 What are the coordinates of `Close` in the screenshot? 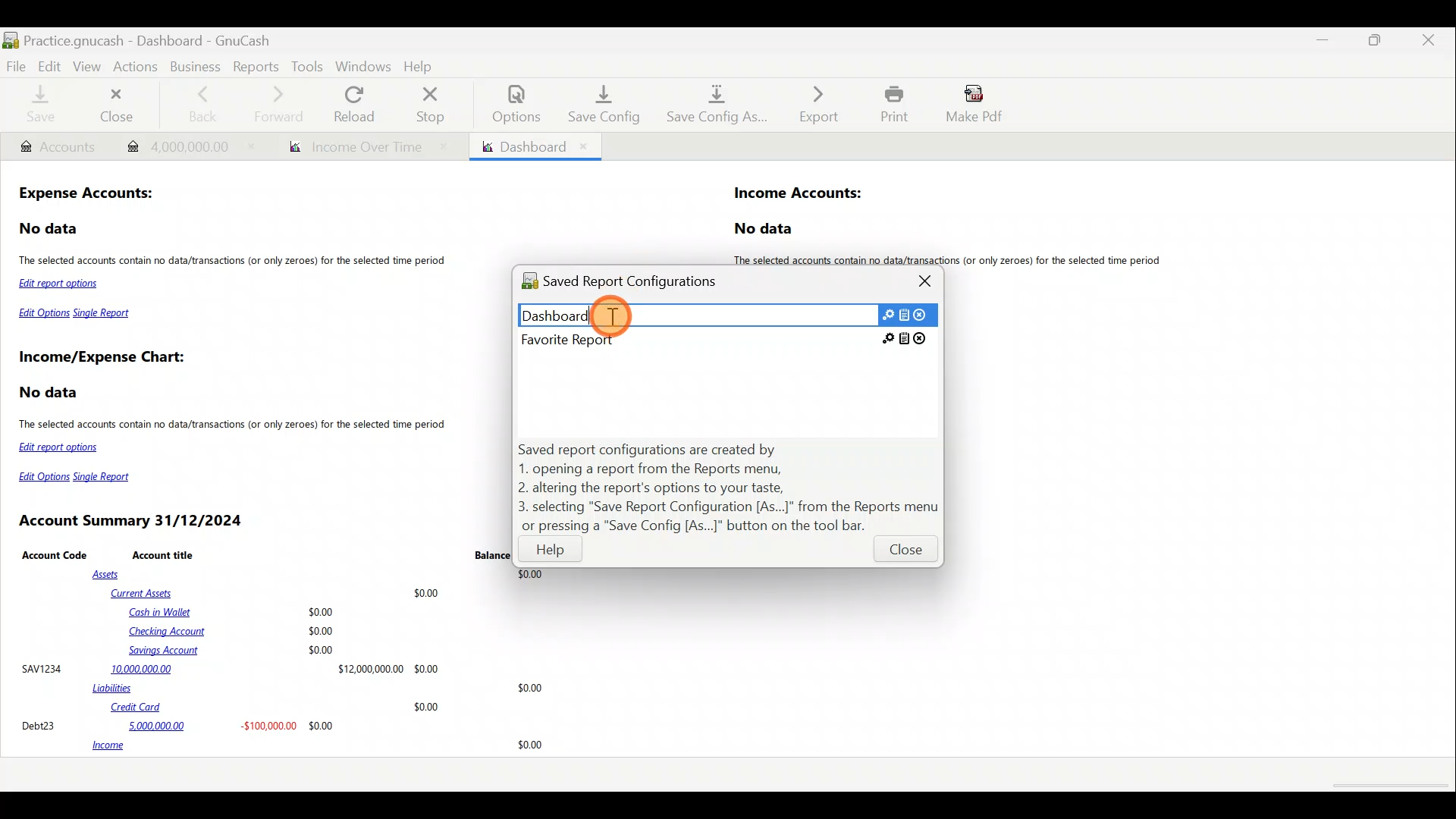 It's located at (1429, 42).